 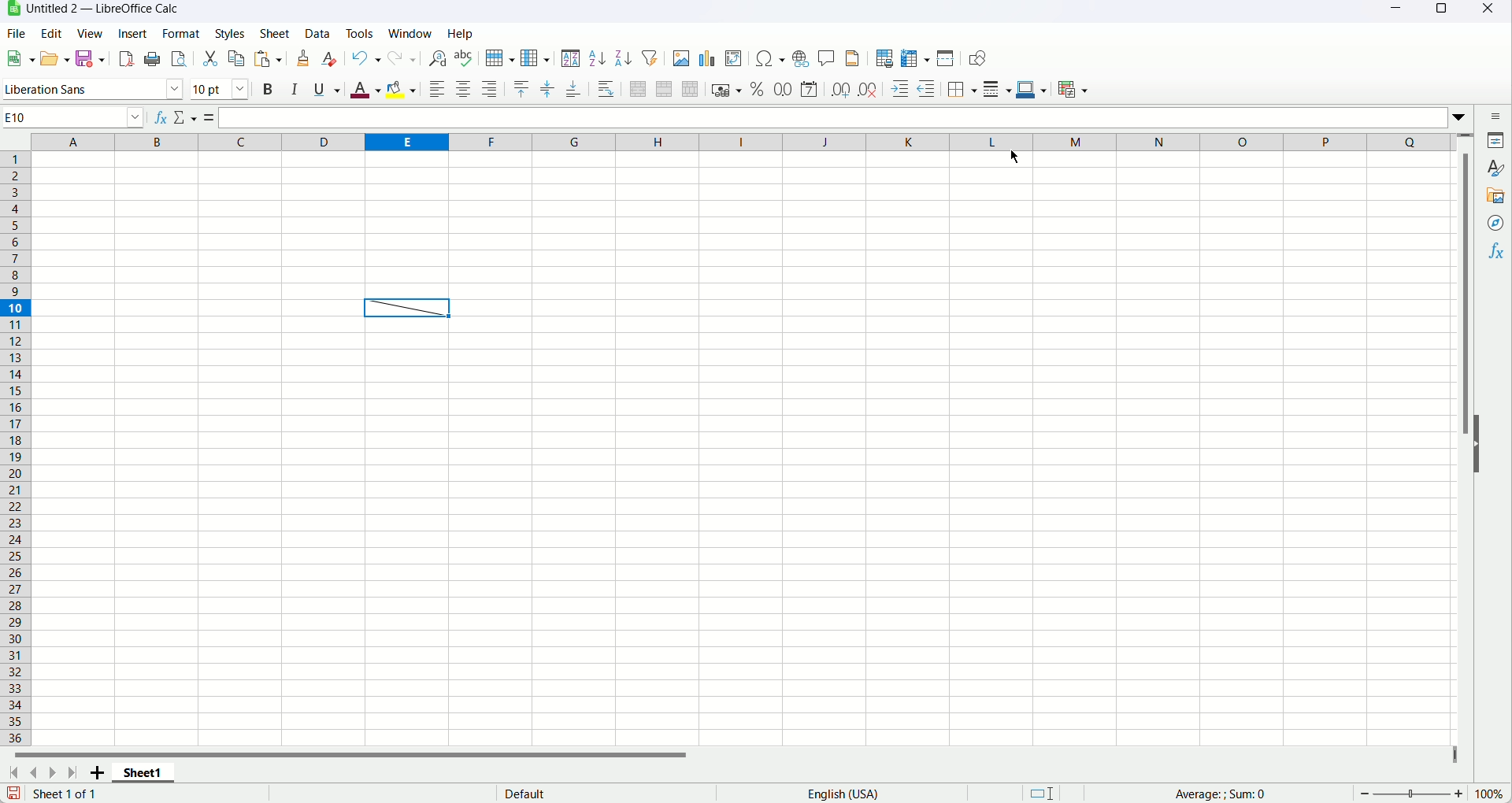 I want to click on Close, so click(x=1490, y=13).